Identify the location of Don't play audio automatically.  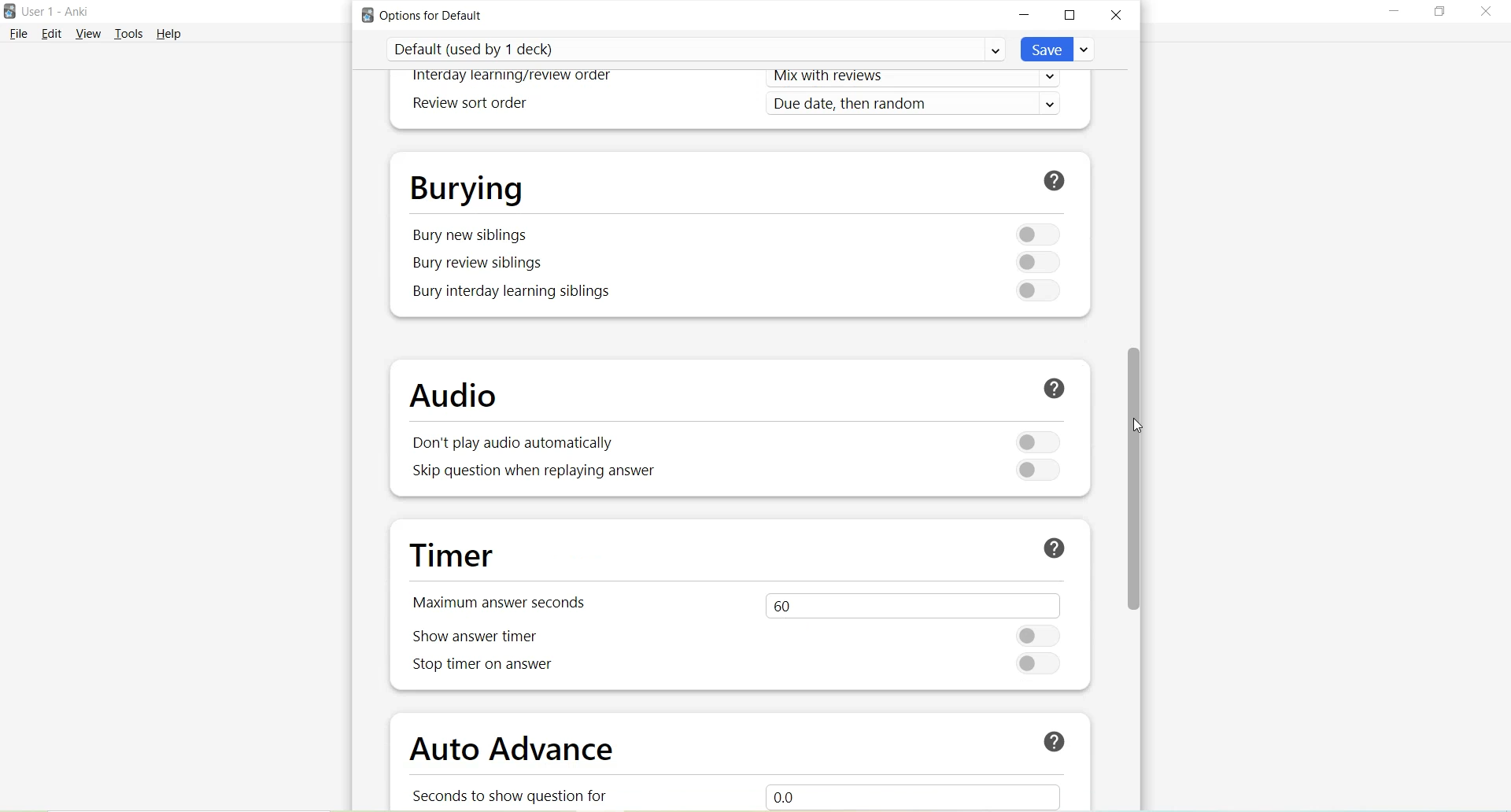
(508, 445).